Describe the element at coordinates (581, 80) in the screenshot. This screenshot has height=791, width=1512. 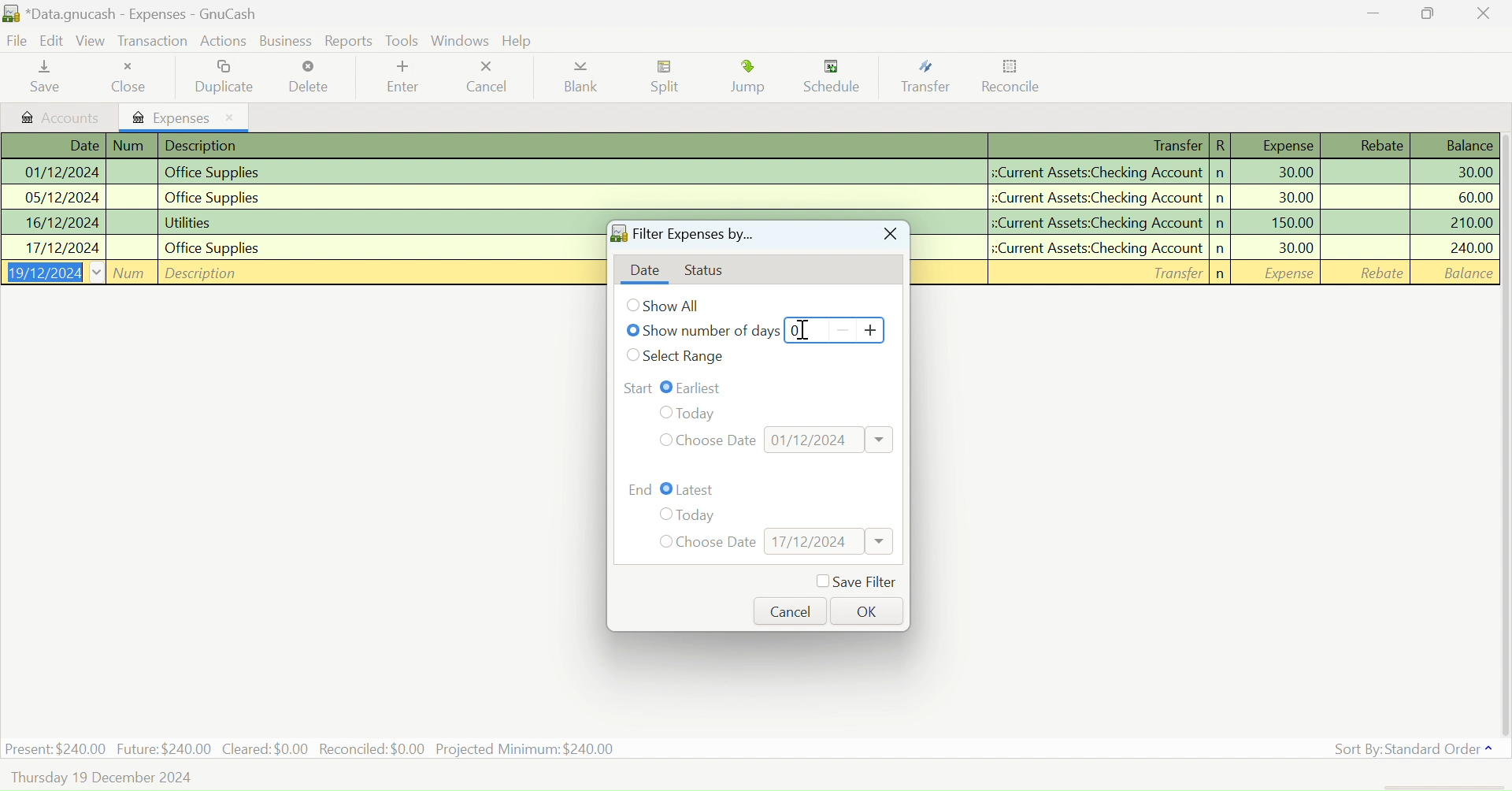
I see `Blank` at that location.